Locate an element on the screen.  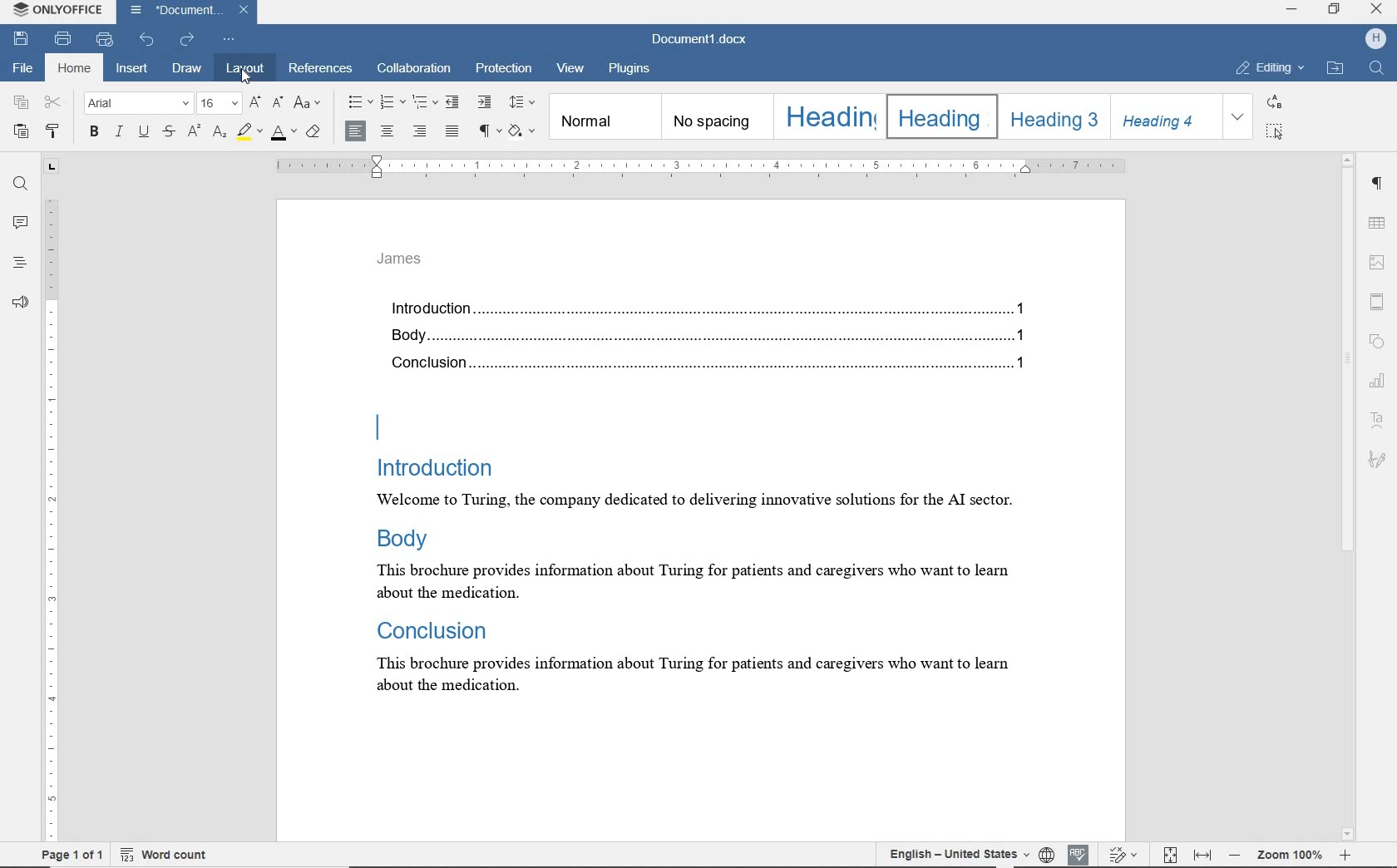
protection is located at coordinates (503, 67).